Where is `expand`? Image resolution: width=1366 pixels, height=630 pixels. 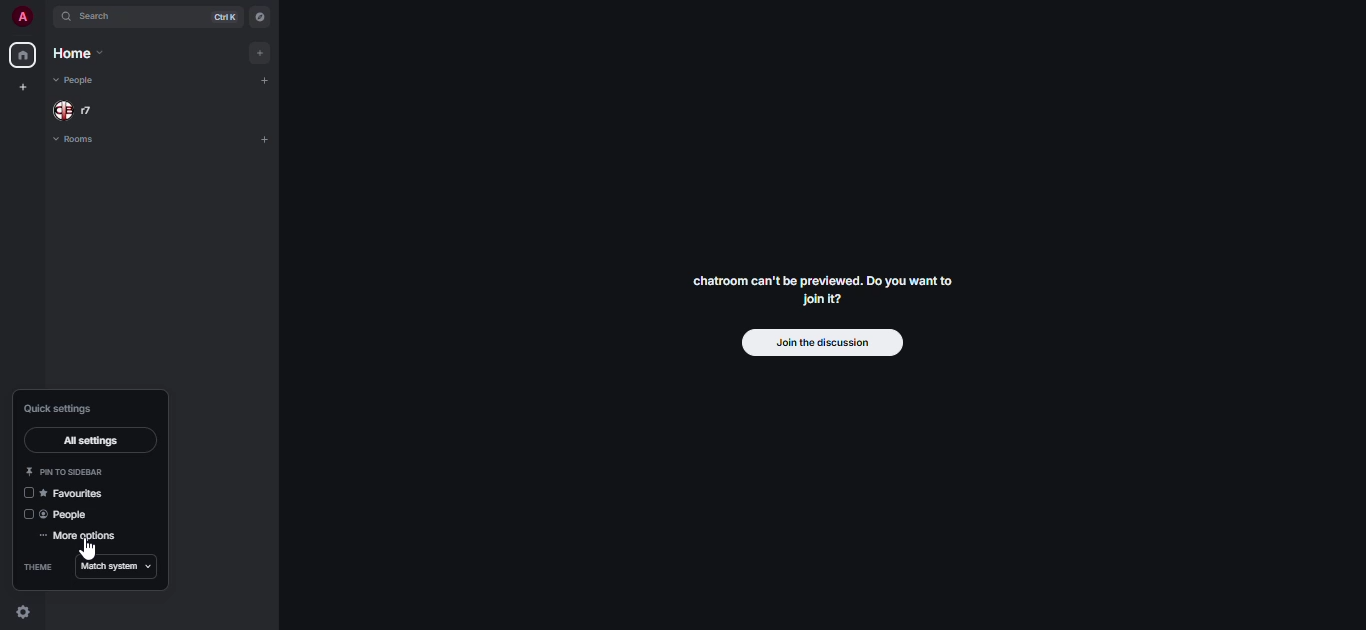 expand is located at coordinates (48, 16).